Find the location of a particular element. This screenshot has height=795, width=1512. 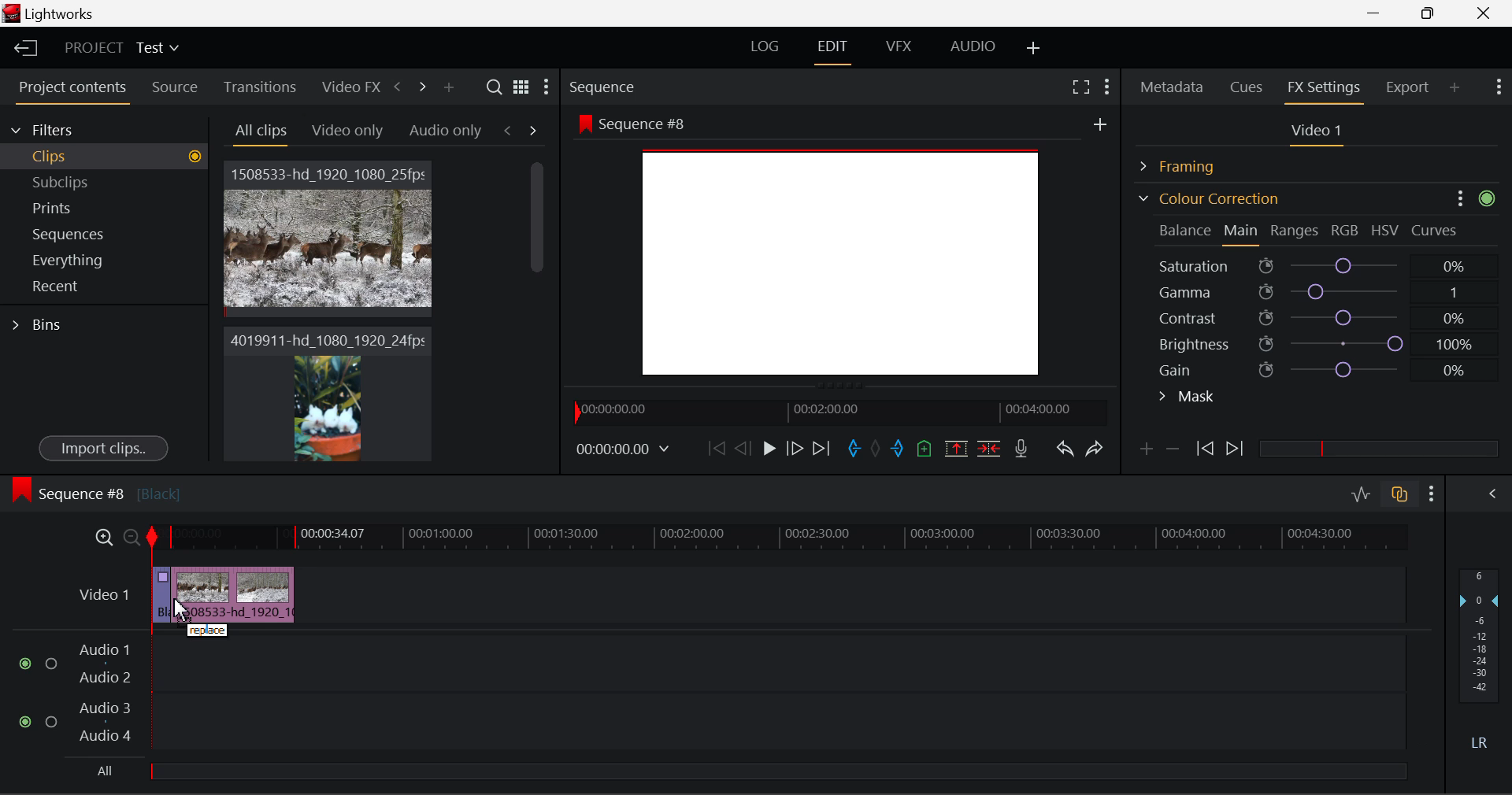

Search is located at coordinates (496, 87).